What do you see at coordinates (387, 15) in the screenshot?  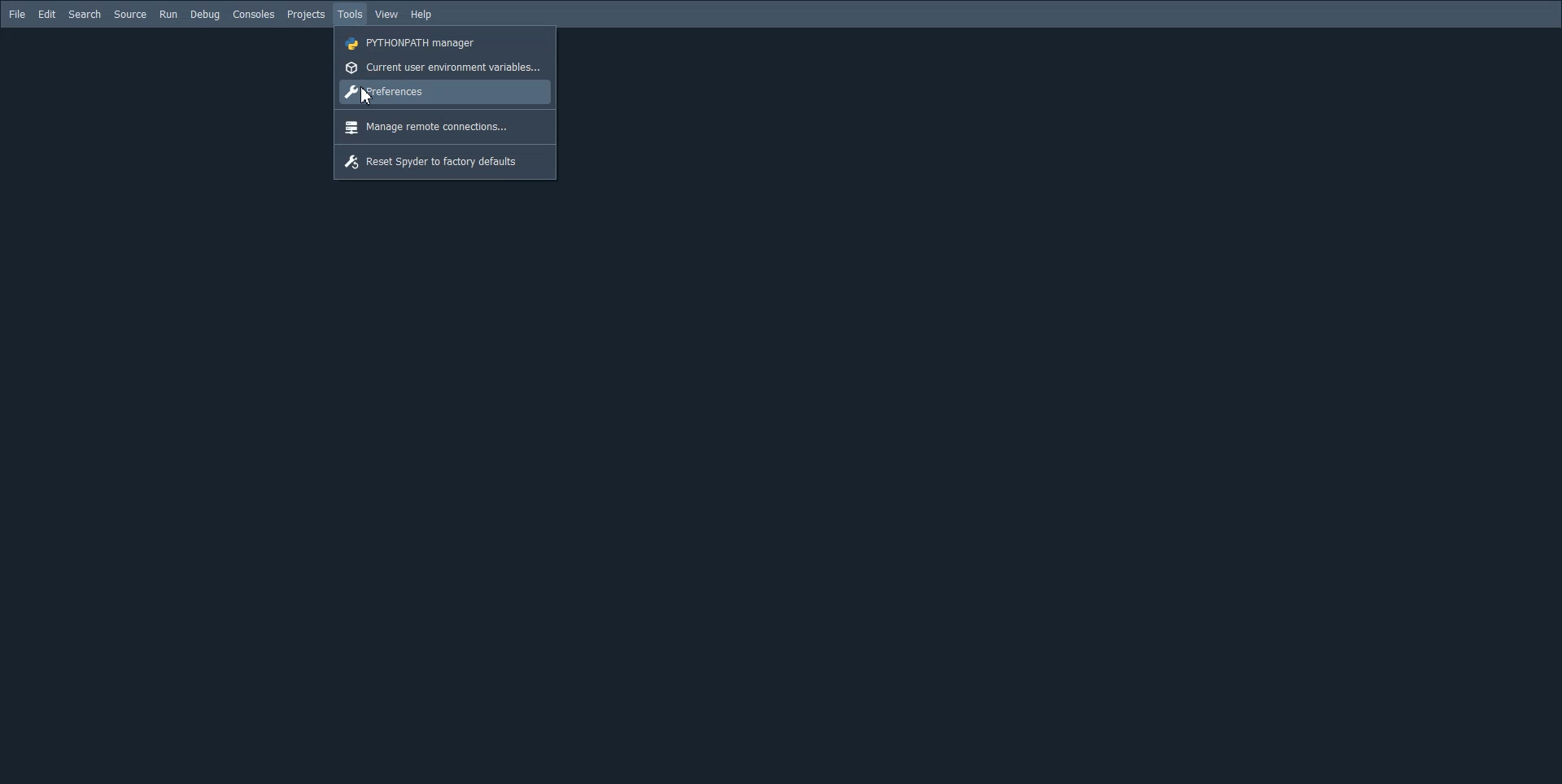 I see `View ` at bounding box center [387, 15].